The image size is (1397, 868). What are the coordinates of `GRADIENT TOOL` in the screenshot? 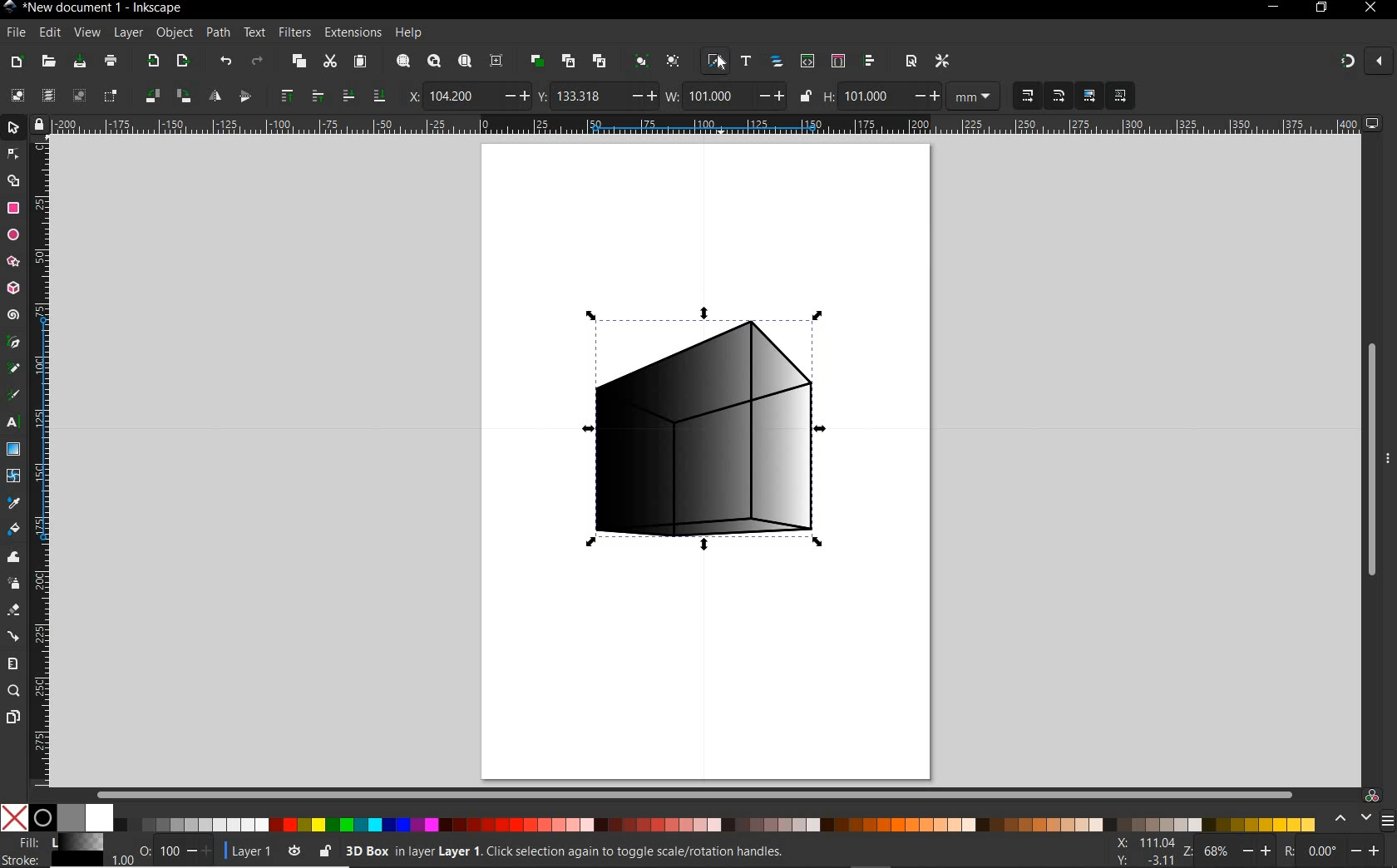 It's located at (12, 449).